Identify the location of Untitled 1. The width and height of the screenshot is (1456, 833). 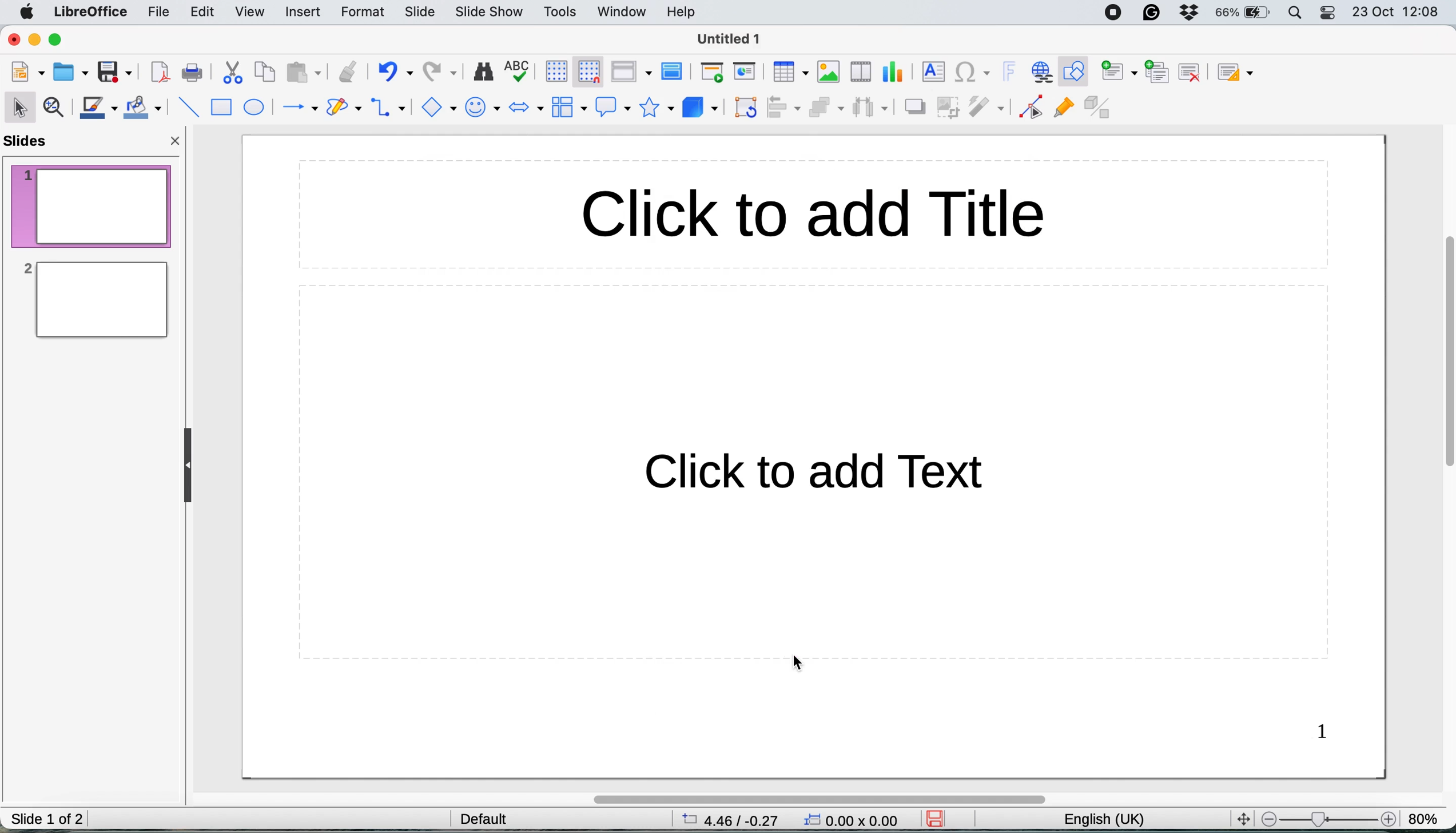
(730, 39).